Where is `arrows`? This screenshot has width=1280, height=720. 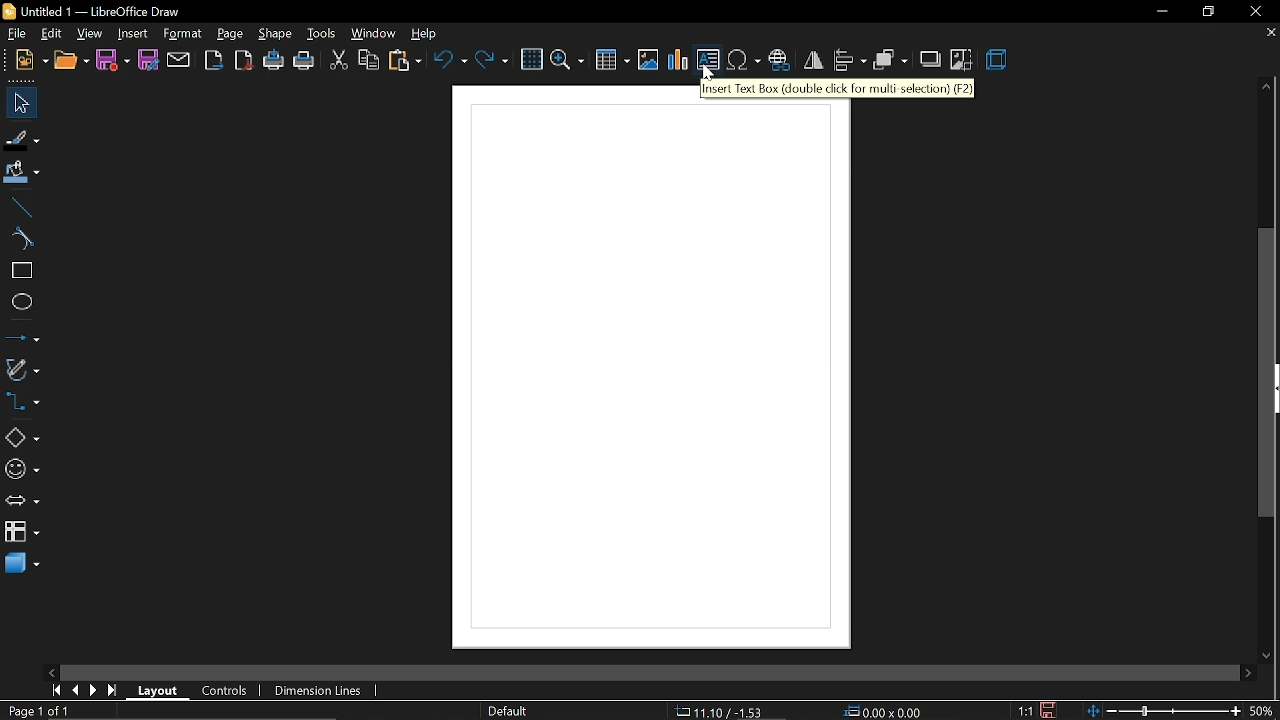
arrows is located at coordinates (22, 503).